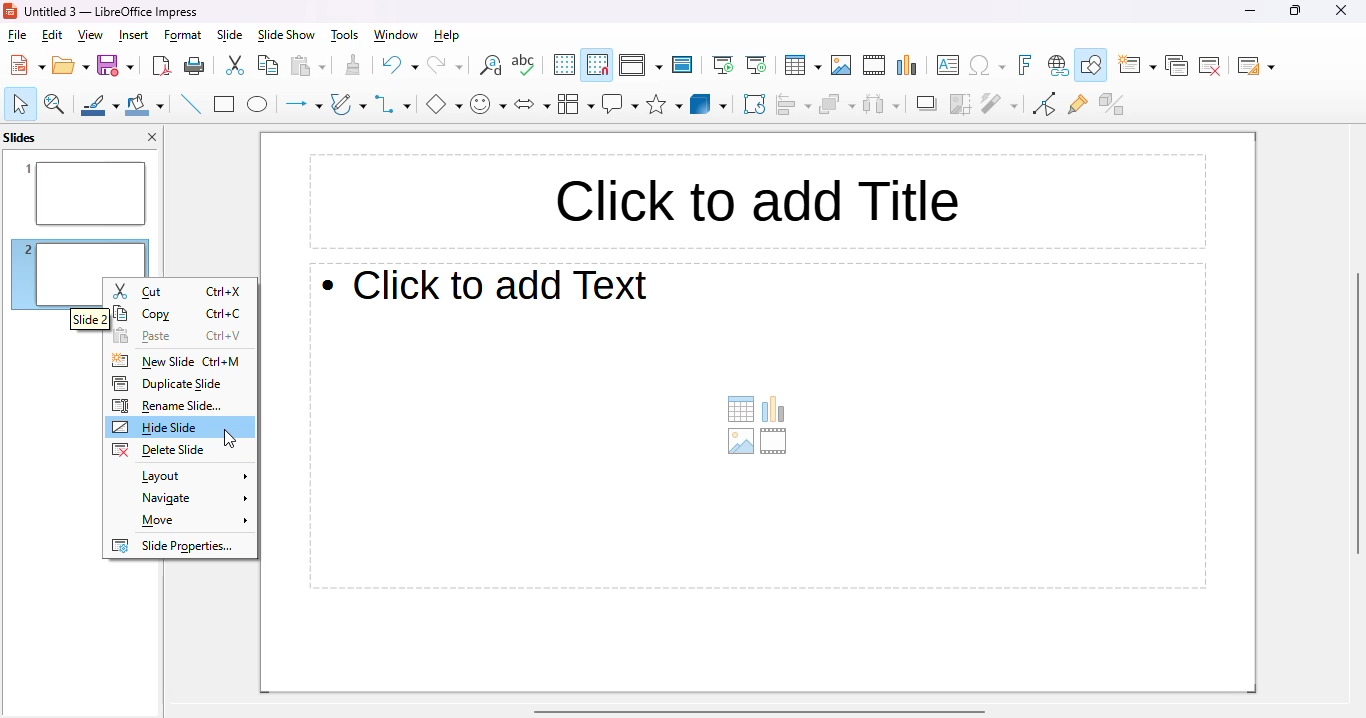  I want to click on start from current slide, so click(756, 66).